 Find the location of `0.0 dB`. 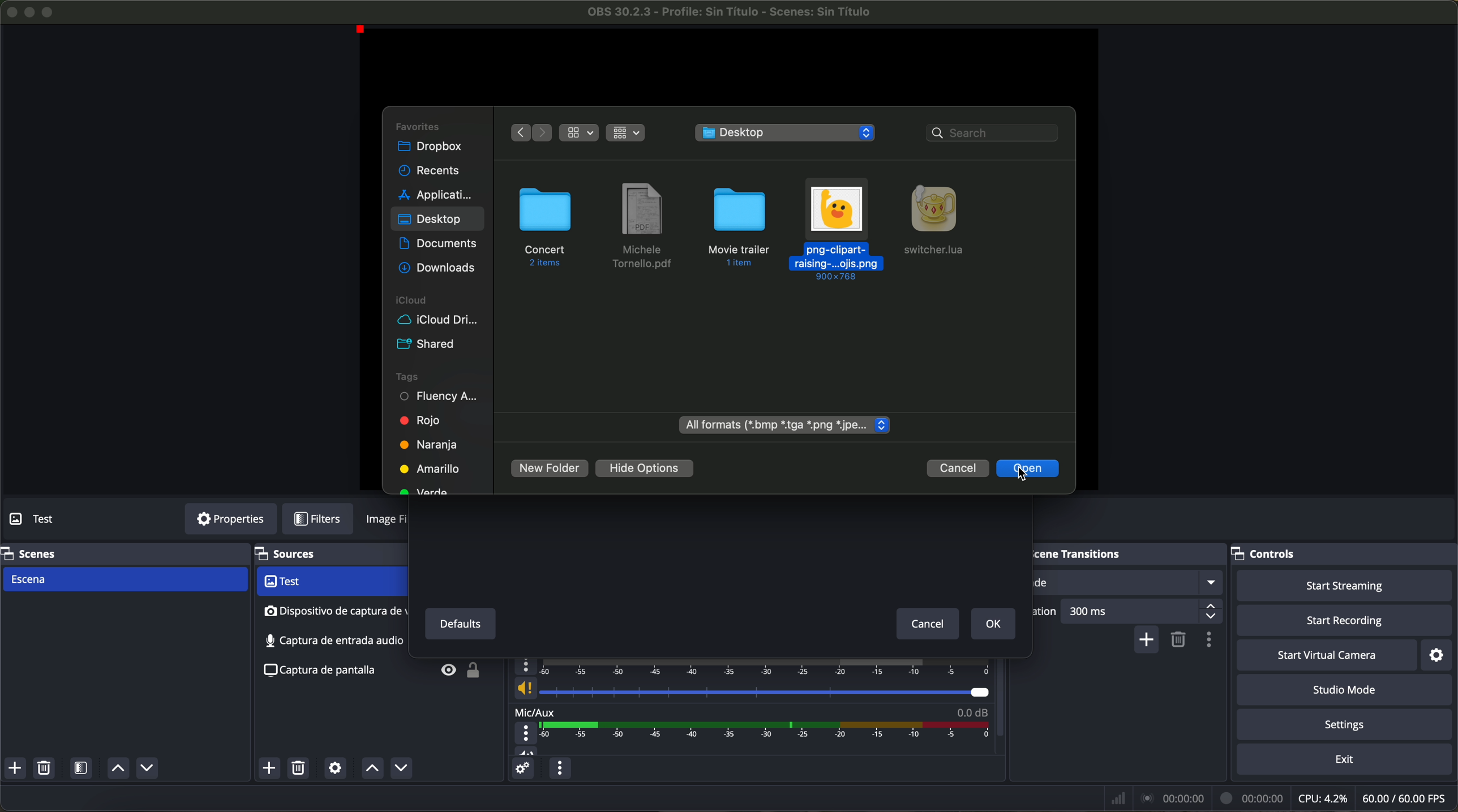

0.0 dB is located at coordinates (972, 710).